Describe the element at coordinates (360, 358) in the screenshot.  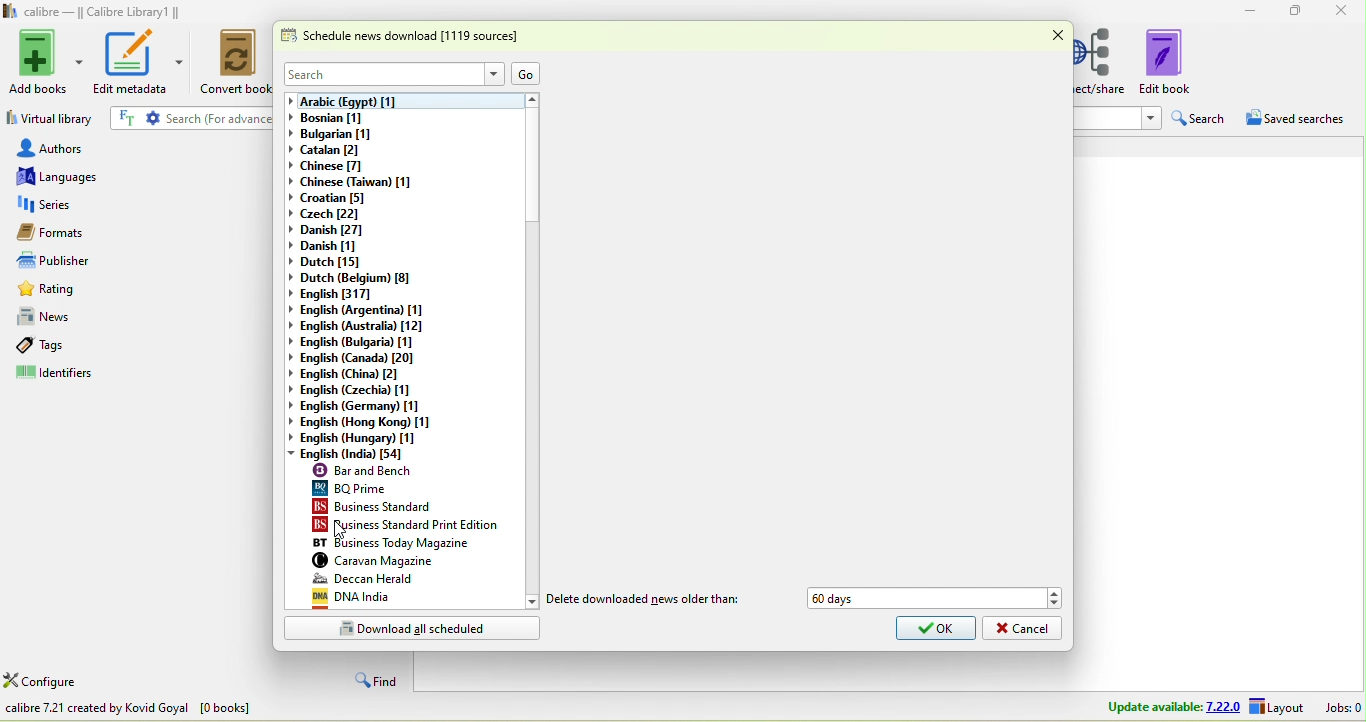
I see `english(canada)[20]` at that location.